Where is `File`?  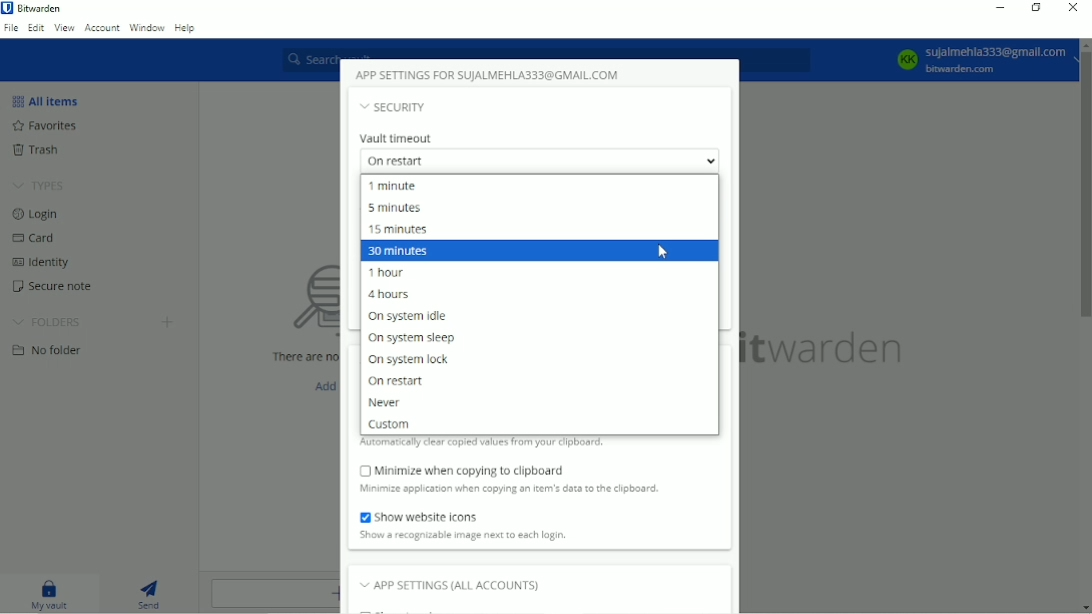 File is located at coordinates (11, 29).